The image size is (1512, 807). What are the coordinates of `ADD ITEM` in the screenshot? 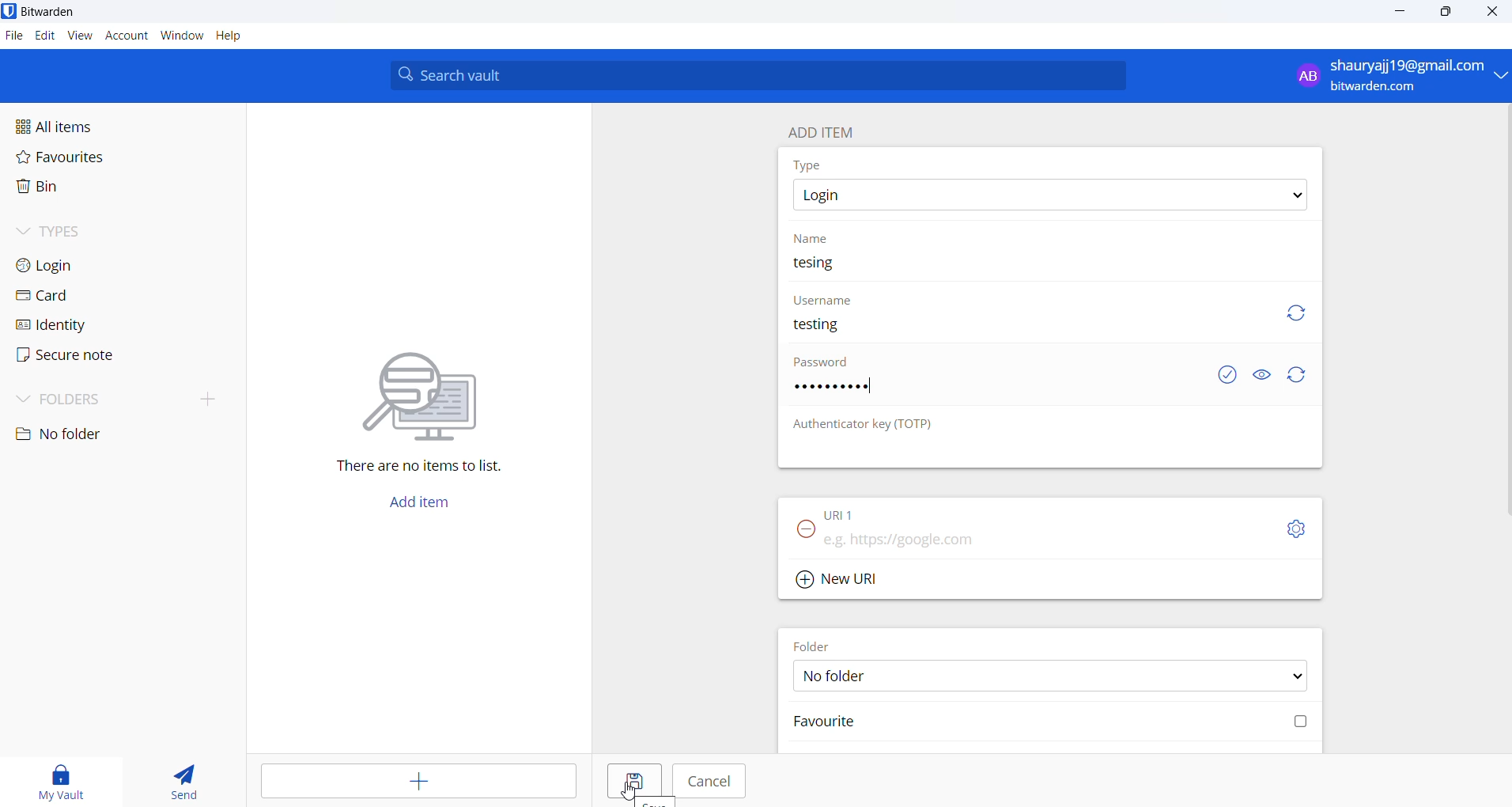 It's located at (828, 129).